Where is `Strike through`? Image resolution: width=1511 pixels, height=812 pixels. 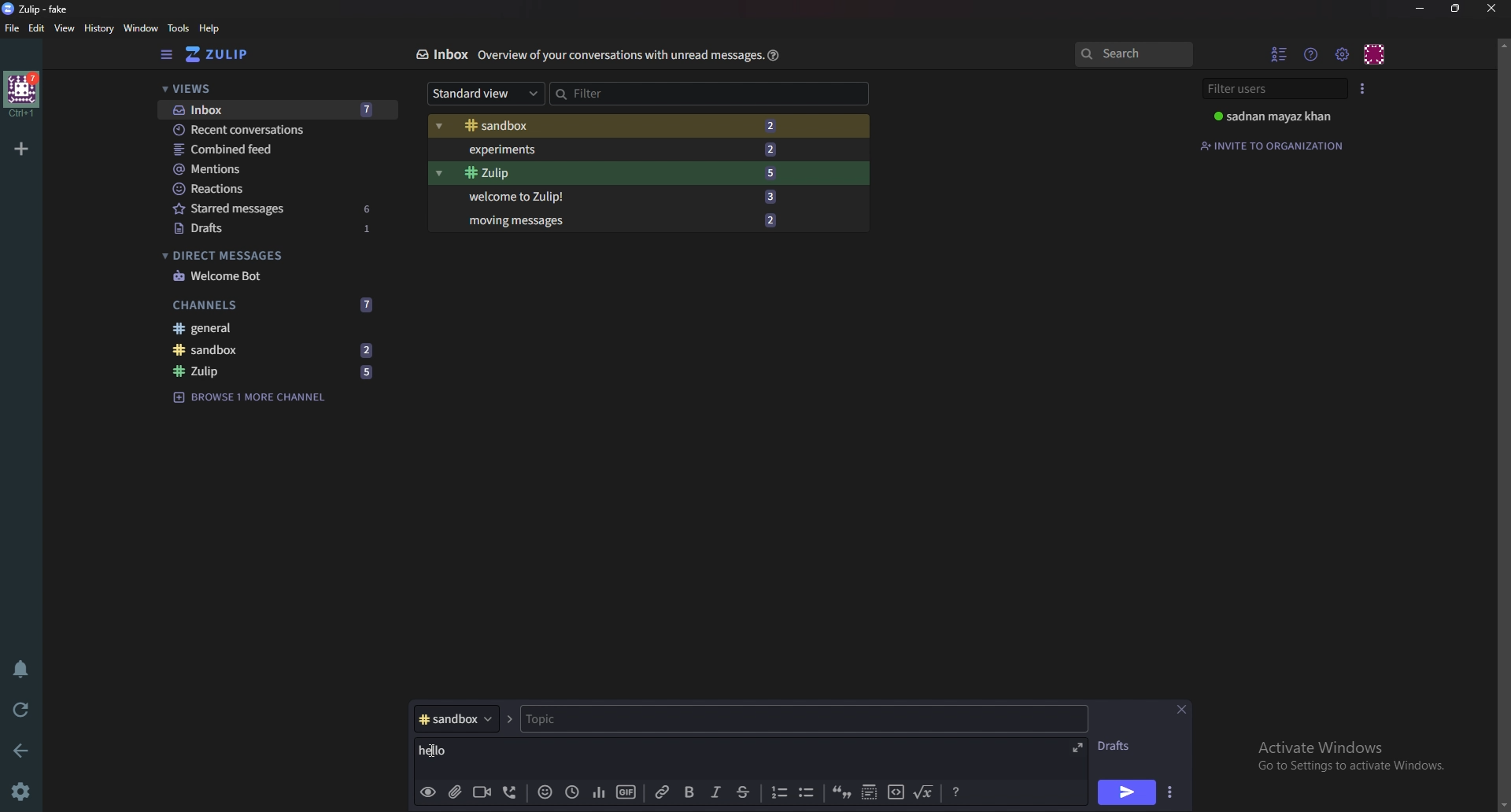
Strike through is located at coordinates (741, 791).